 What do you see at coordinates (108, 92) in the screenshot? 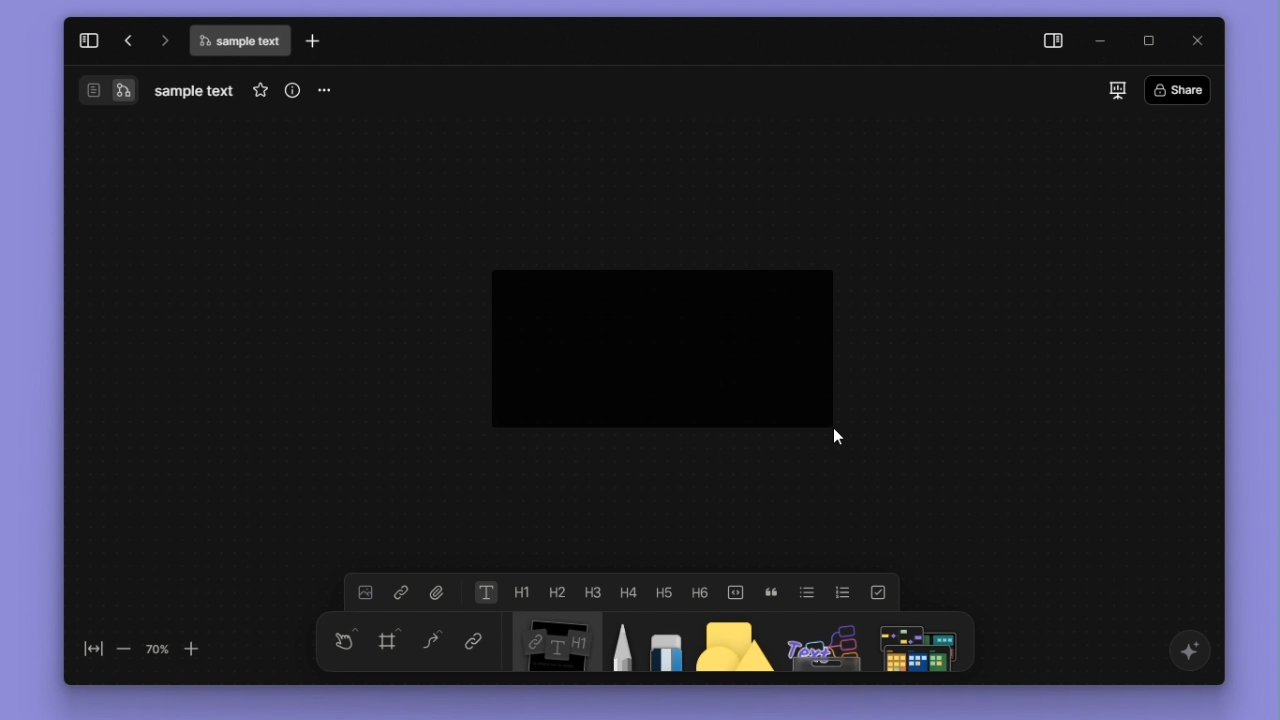
I see `switch between page and edgeless` at bounding box center [108, 92].